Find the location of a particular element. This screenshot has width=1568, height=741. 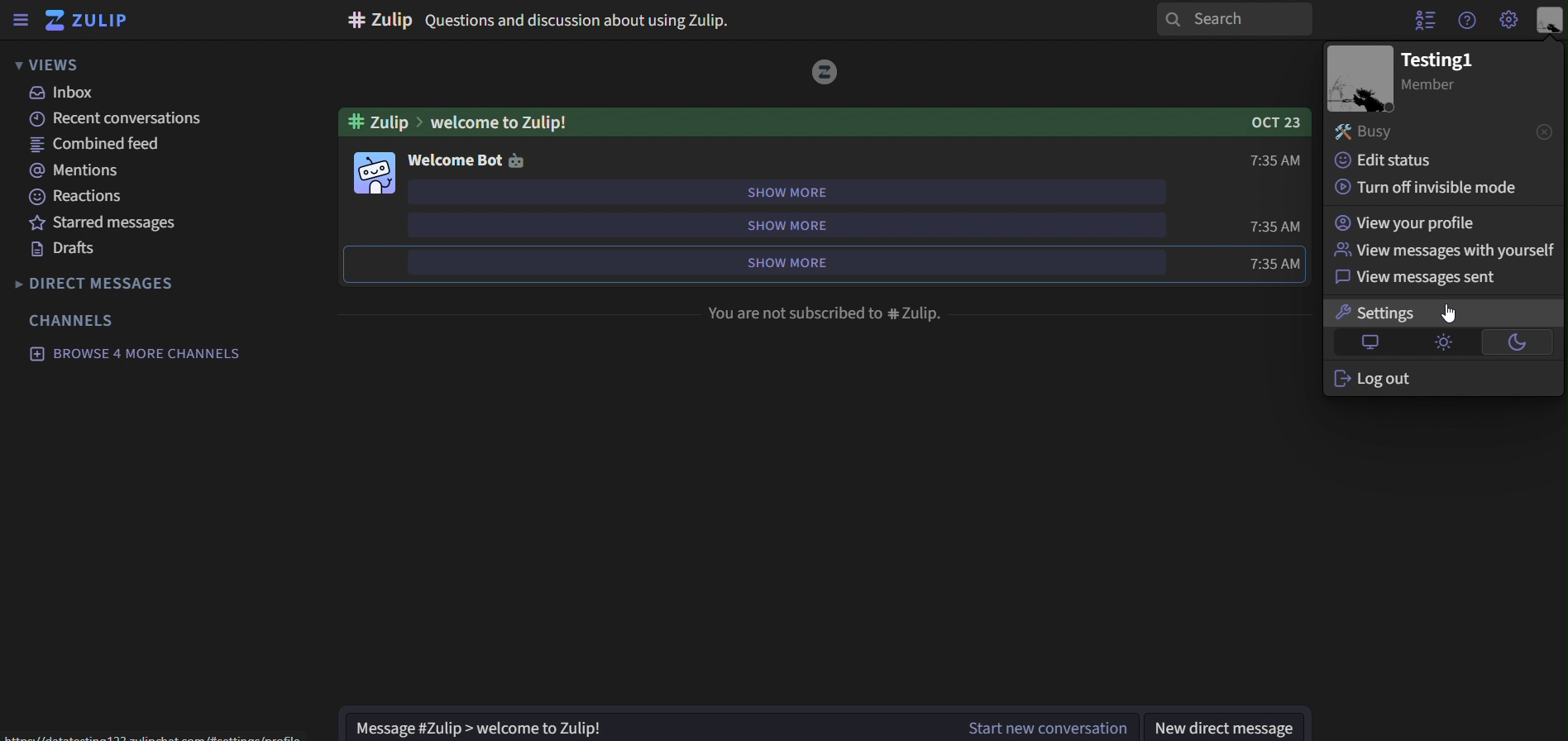

combined feed is located at coordinates (95, 142).